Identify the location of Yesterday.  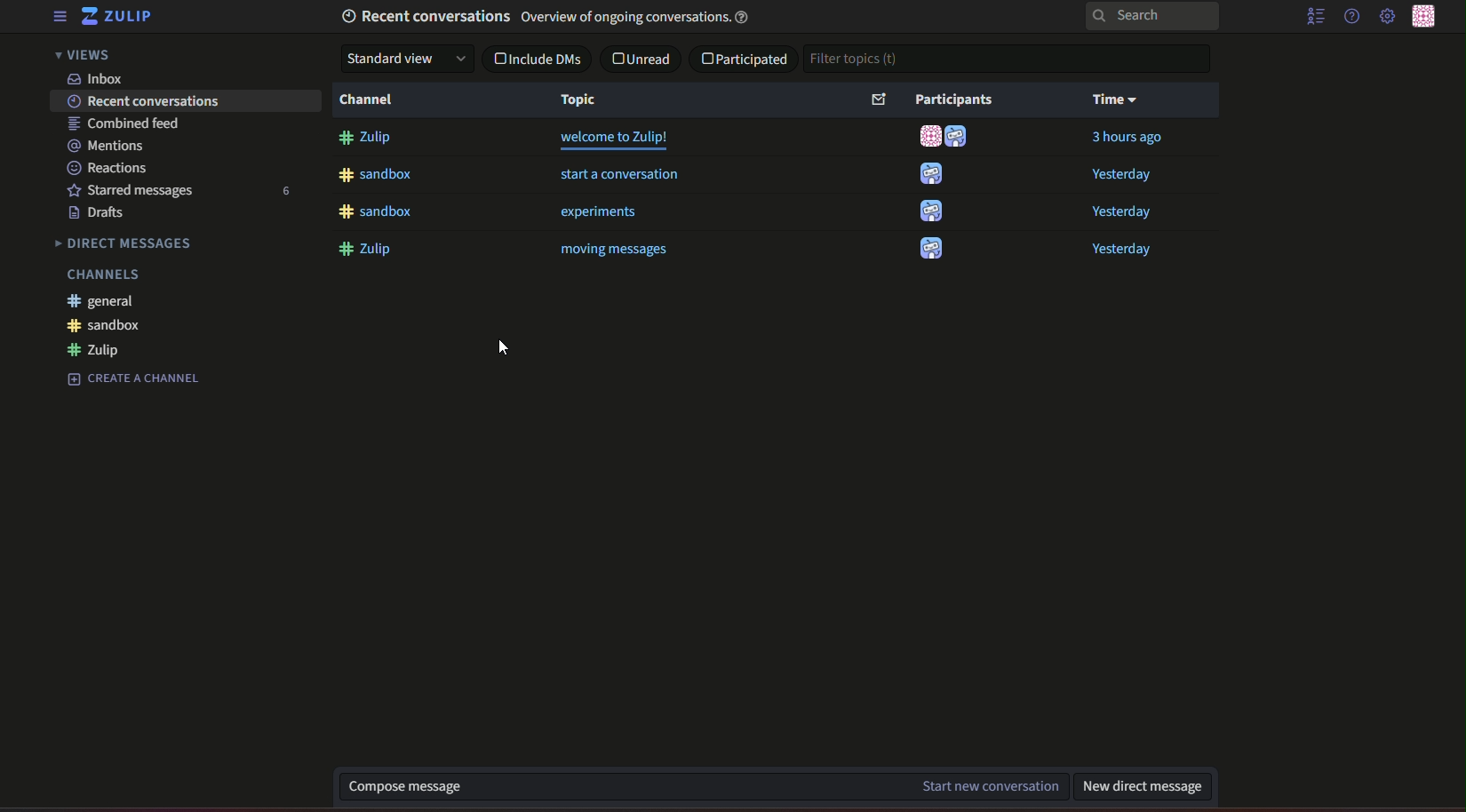
(1133, 250).